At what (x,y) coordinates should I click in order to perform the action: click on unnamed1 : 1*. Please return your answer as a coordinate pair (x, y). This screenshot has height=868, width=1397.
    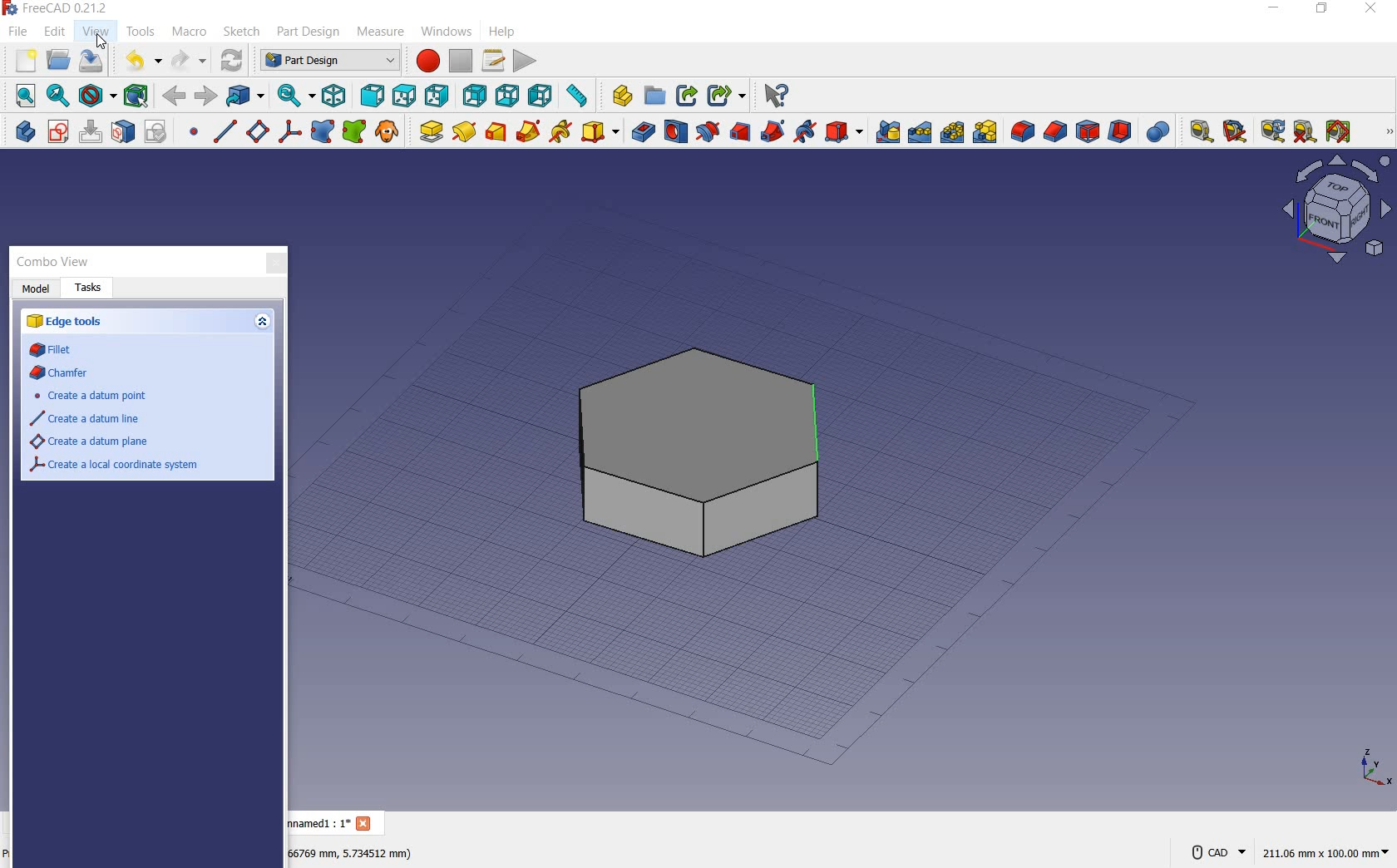
    Looking at the image, I should click on (318, 822).